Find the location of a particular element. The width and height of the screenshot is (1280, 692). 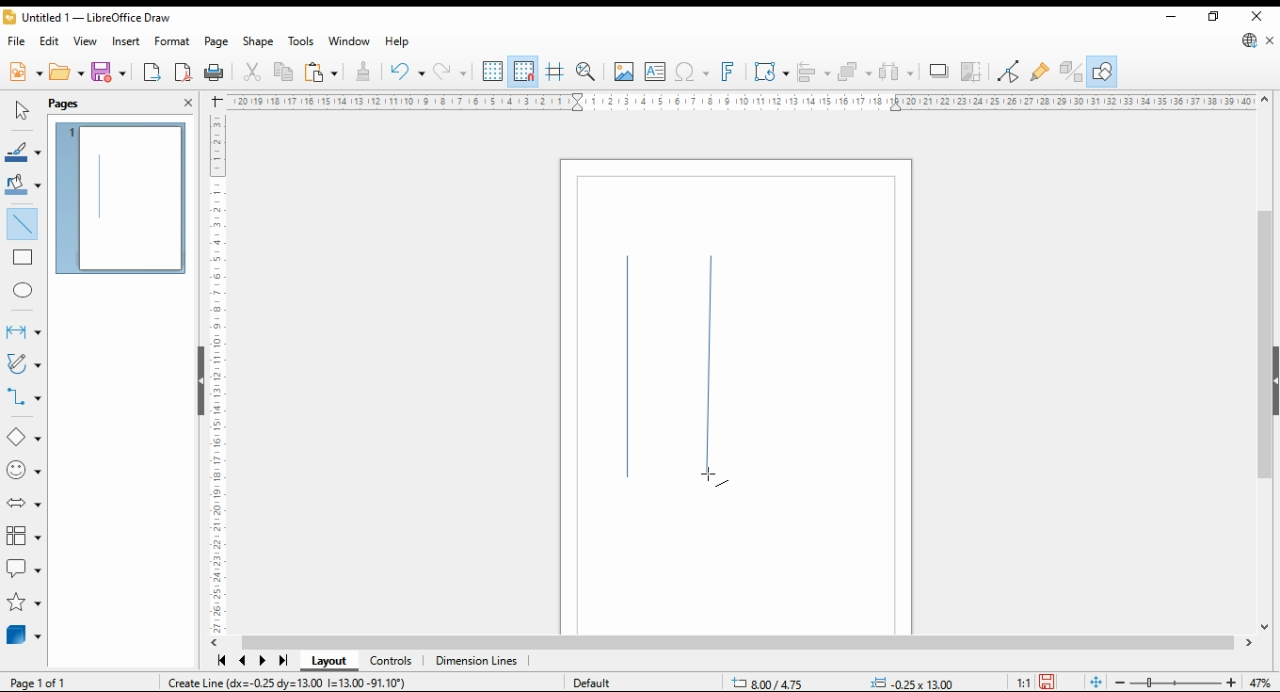

collapse is located at coordinates (1274, 379).